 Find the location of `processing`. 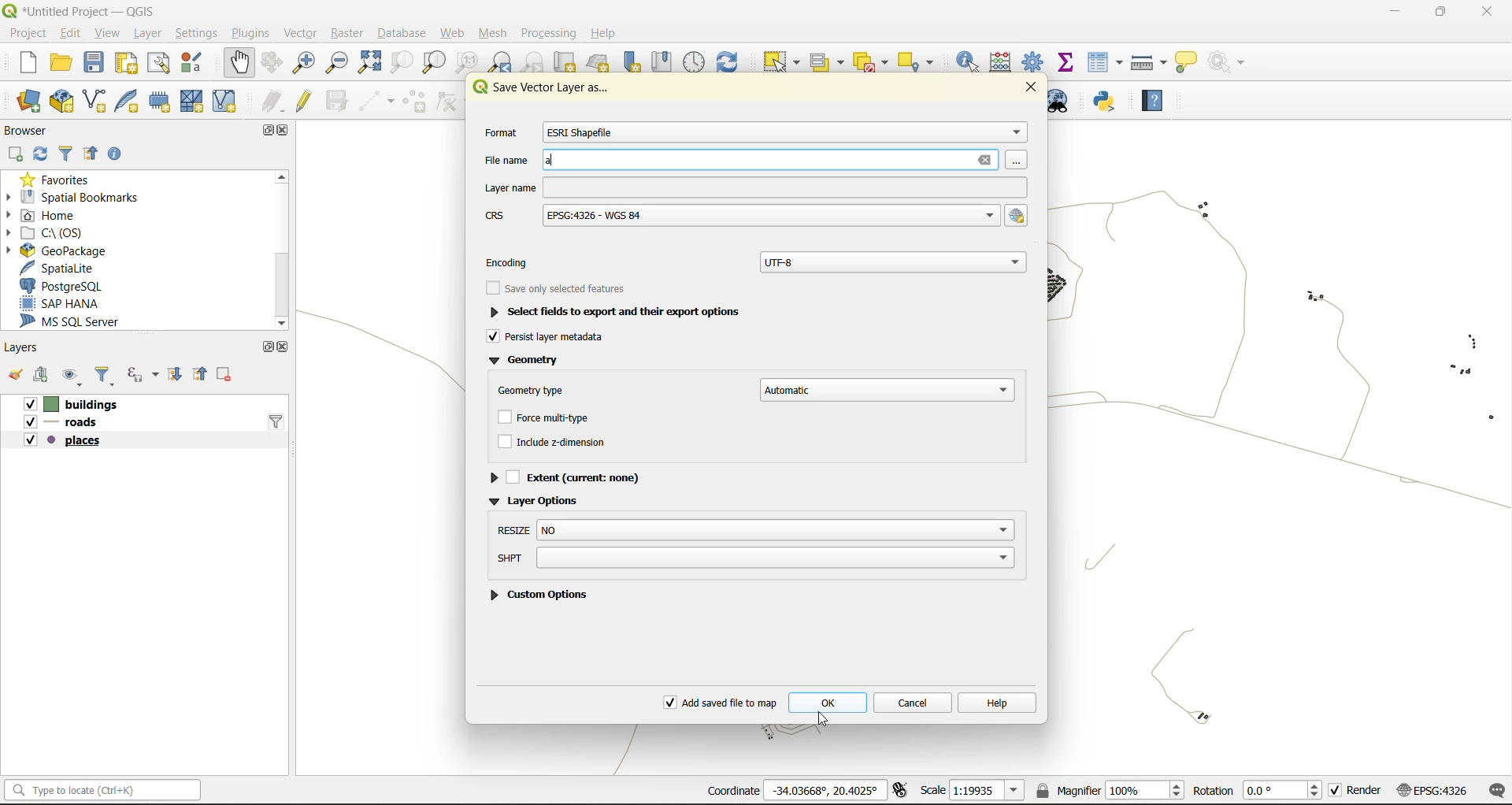

processing is located at coordinates (549, 30).